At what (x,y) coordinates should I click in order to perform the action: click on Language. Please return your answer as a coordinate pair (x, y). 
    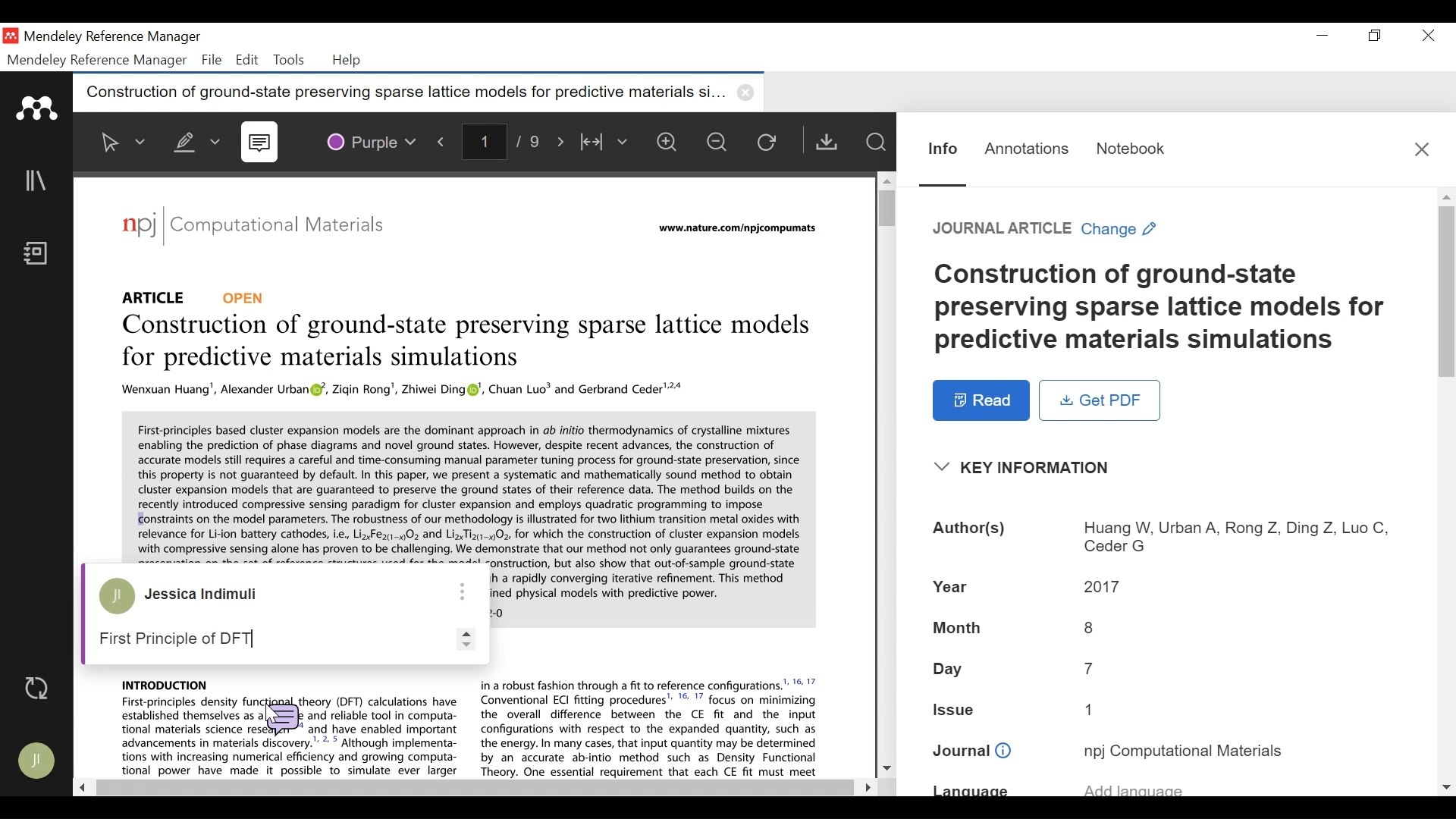
    Looking at the image, I should click on (1164, 789).